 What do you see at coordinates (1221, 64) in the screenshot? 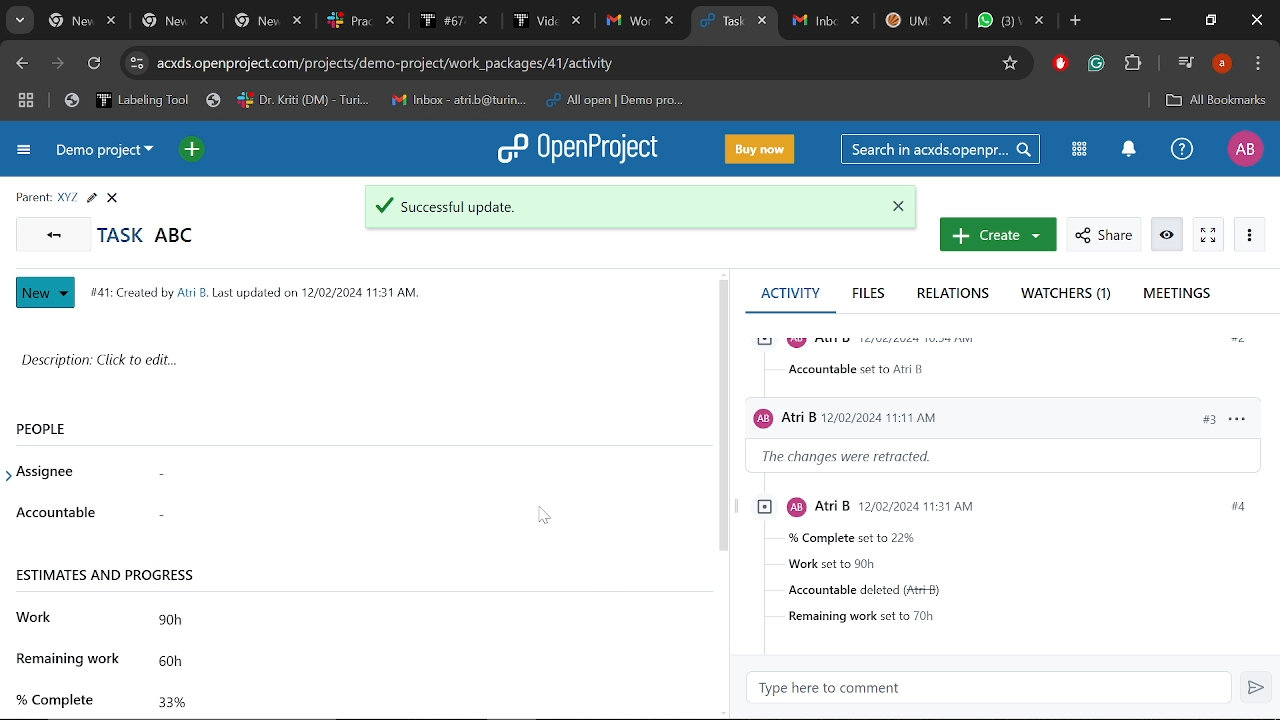
I see `Profile` at bounding box center [1221, 64].